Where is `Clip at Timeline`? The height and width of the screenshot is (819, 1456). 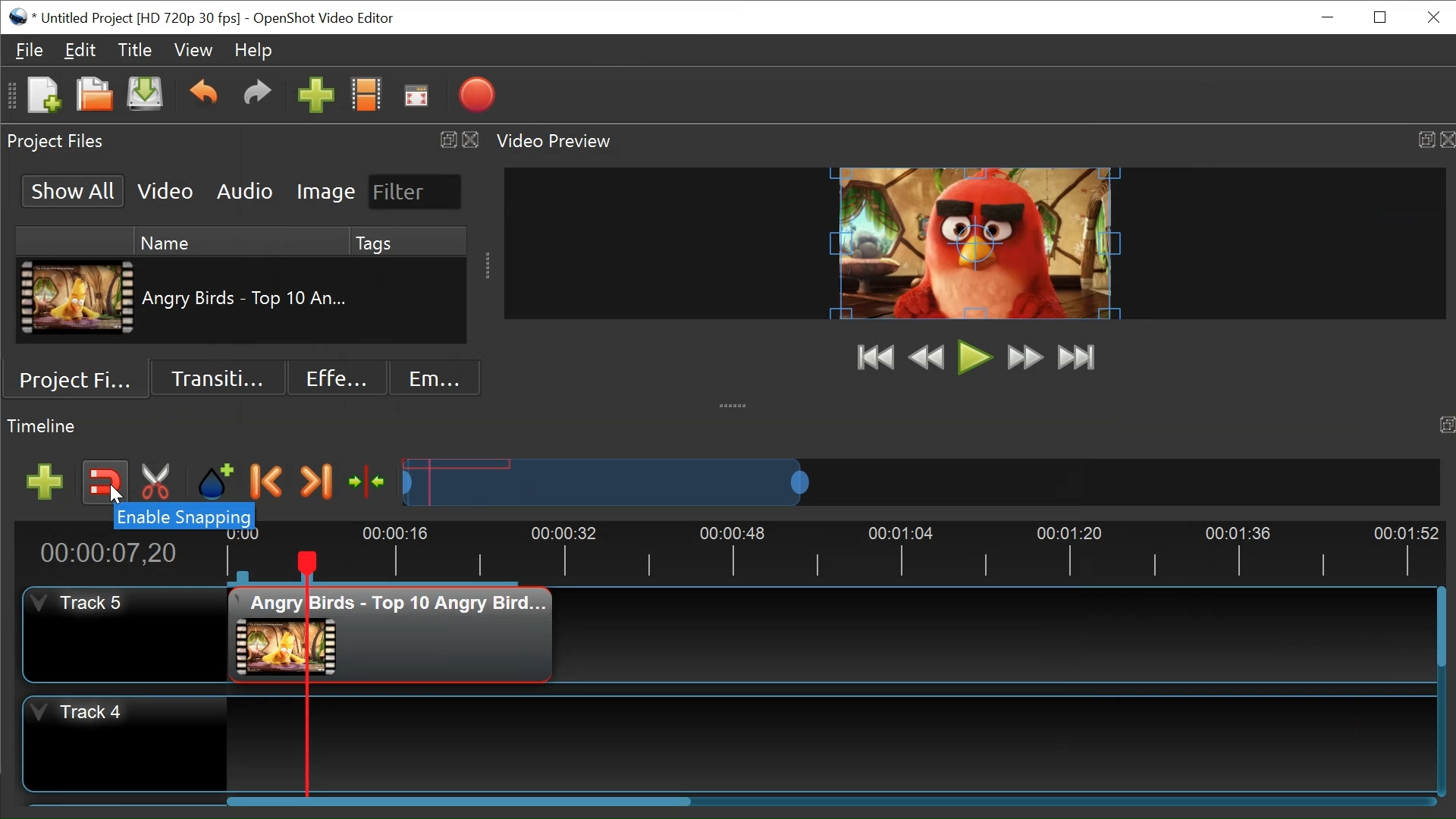
Clip at Timeline is located at coordinates (389, 636).